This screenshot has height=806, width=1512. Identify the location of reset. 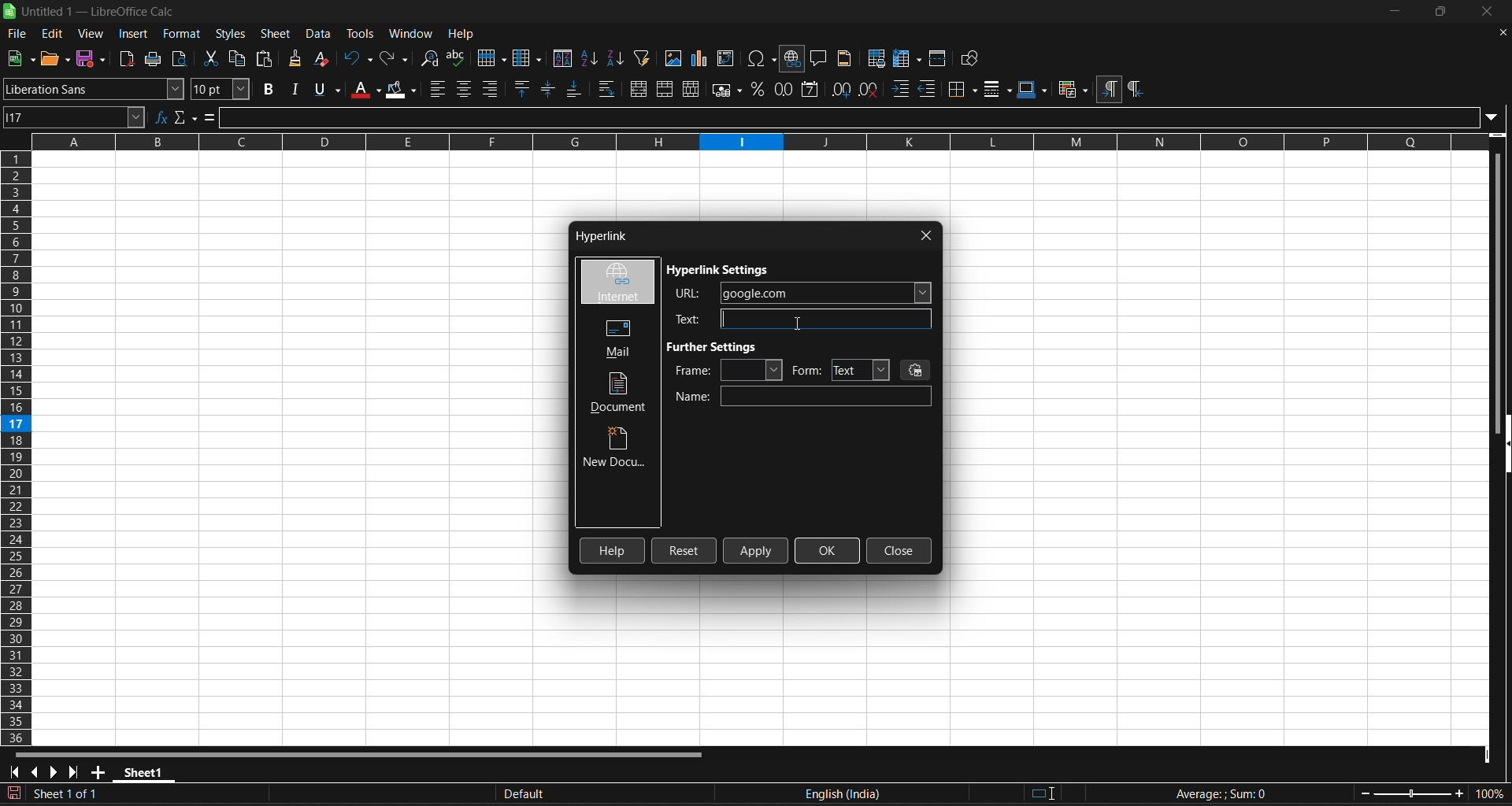
(684, 551).